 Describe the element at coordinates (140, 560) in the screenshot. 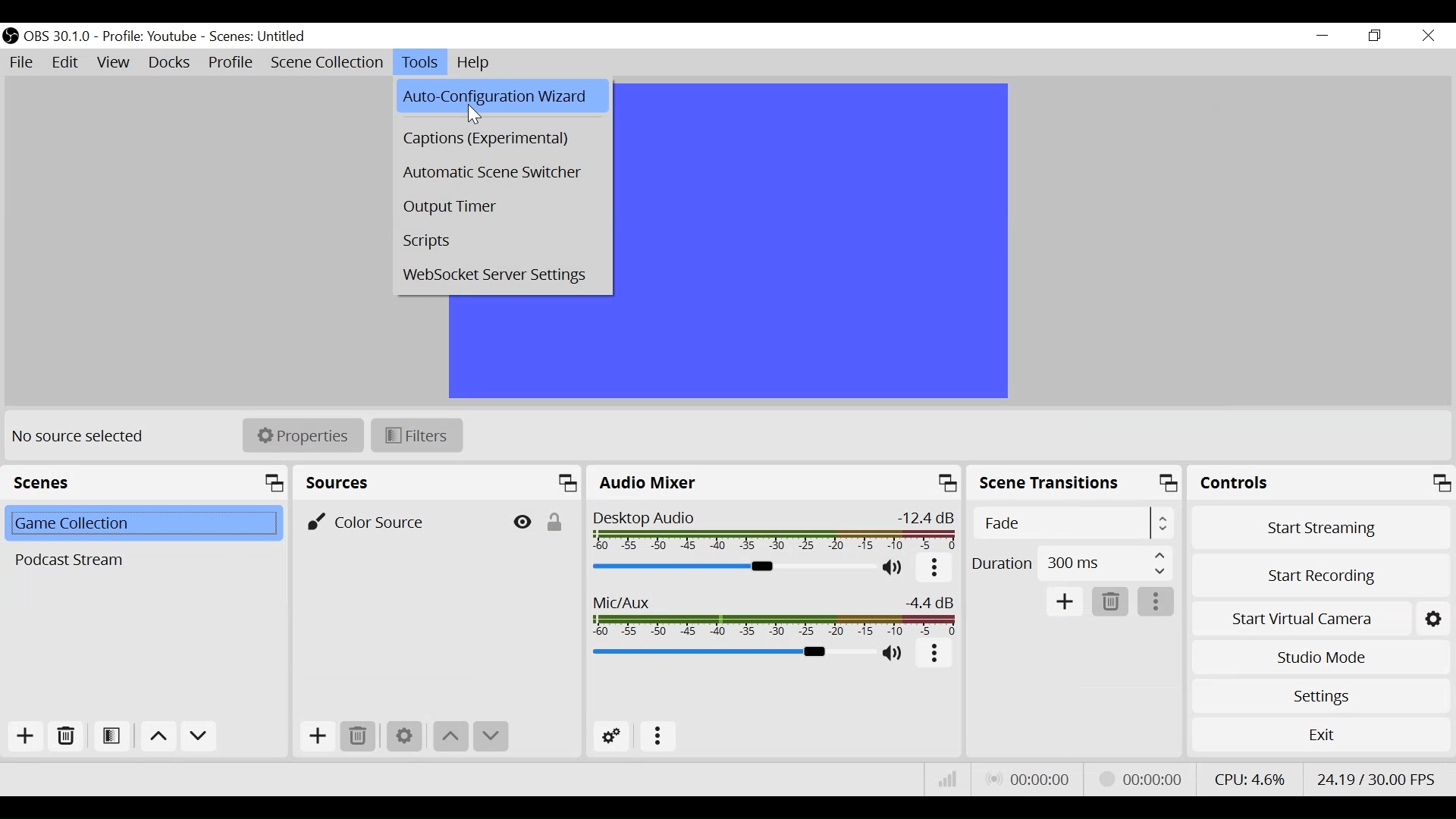

I see `Scene` at that location.